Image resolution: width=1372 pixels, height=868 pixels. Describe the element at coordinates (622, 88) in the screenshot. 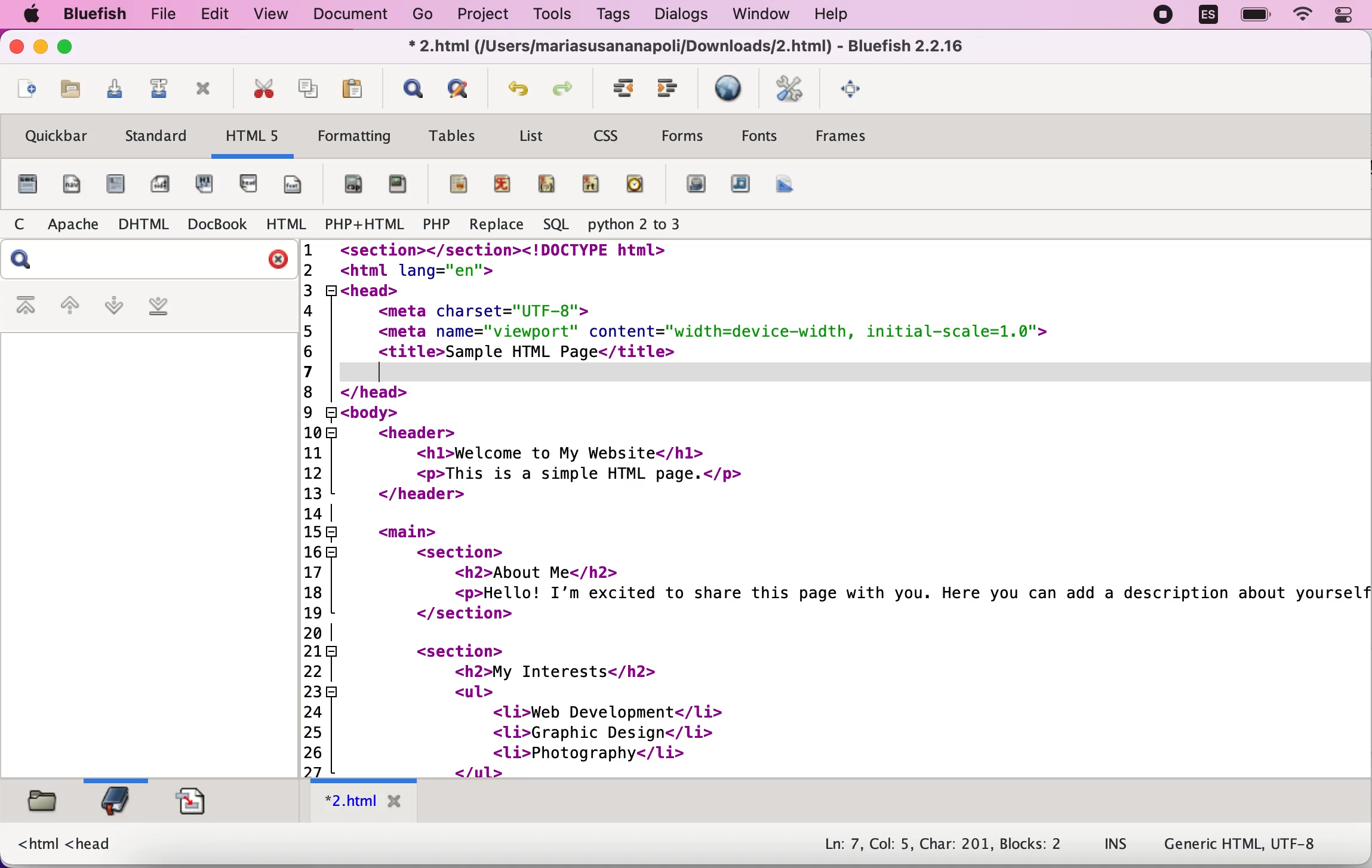

I see `unindent` at that location.